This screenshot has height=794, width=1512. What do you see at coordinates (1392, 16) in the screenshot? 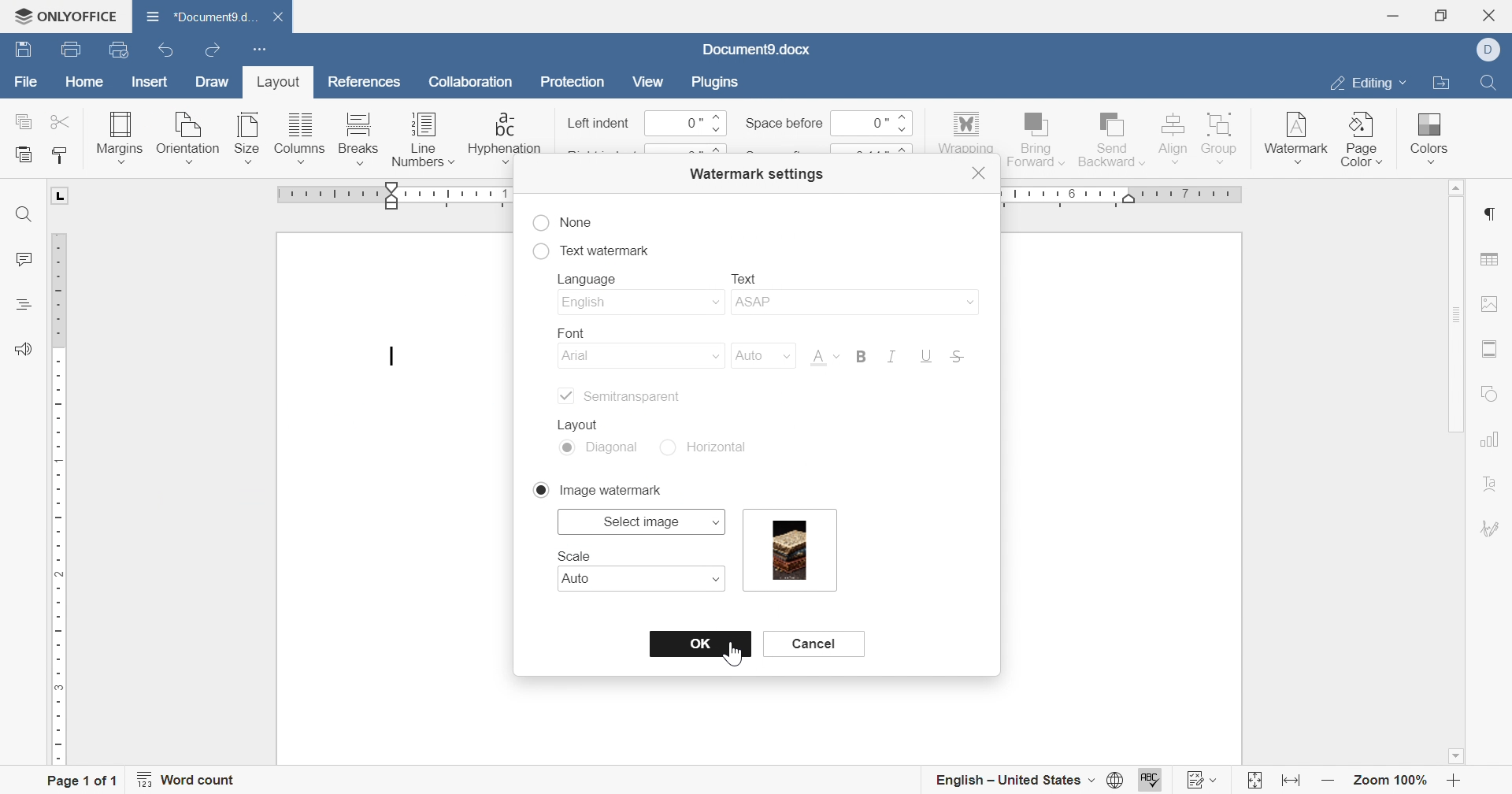
I see `minimize` at bounding box center [1392, 16].